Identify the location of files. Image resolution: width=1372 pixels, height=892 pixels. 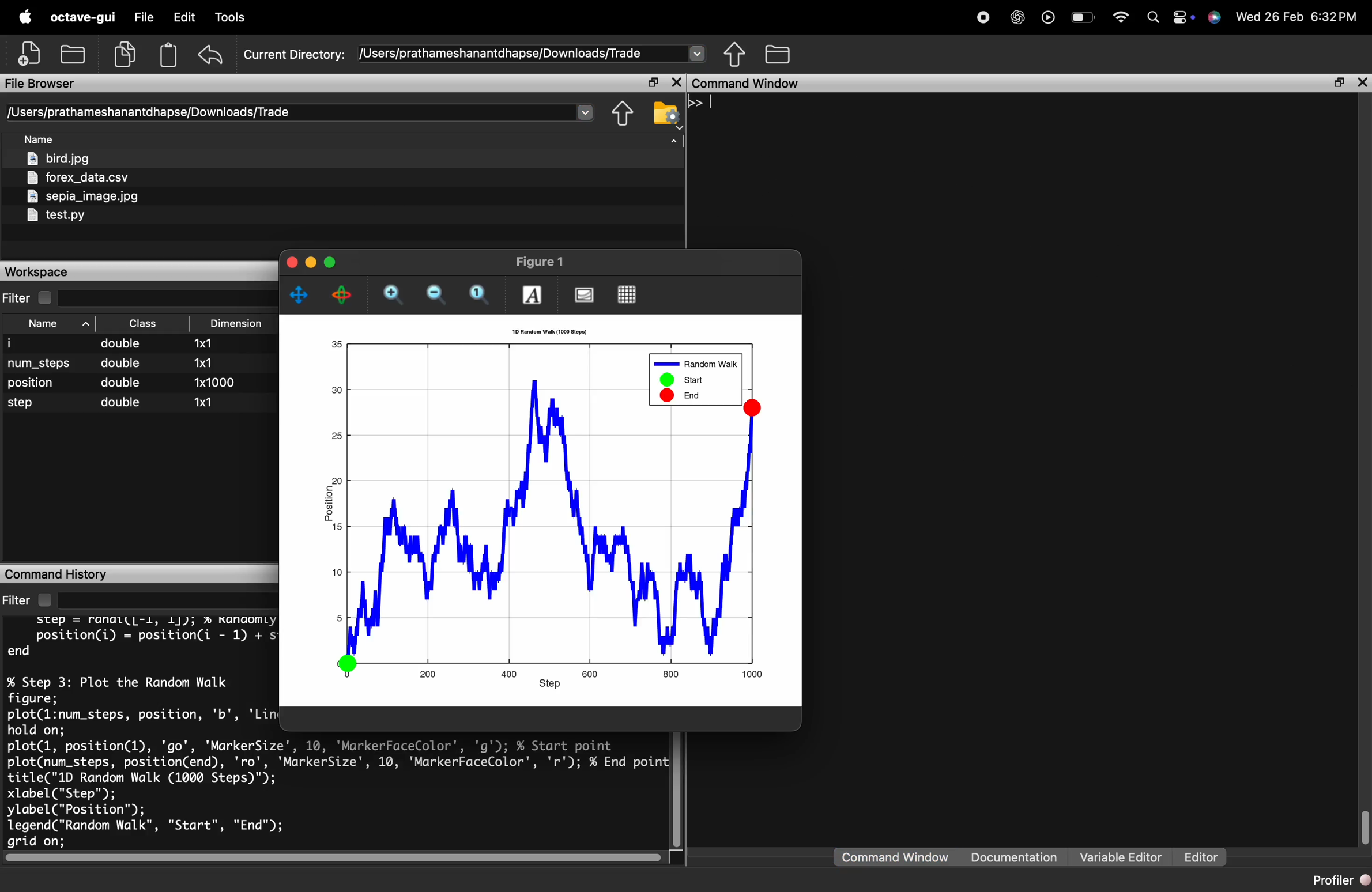
(86, 188).